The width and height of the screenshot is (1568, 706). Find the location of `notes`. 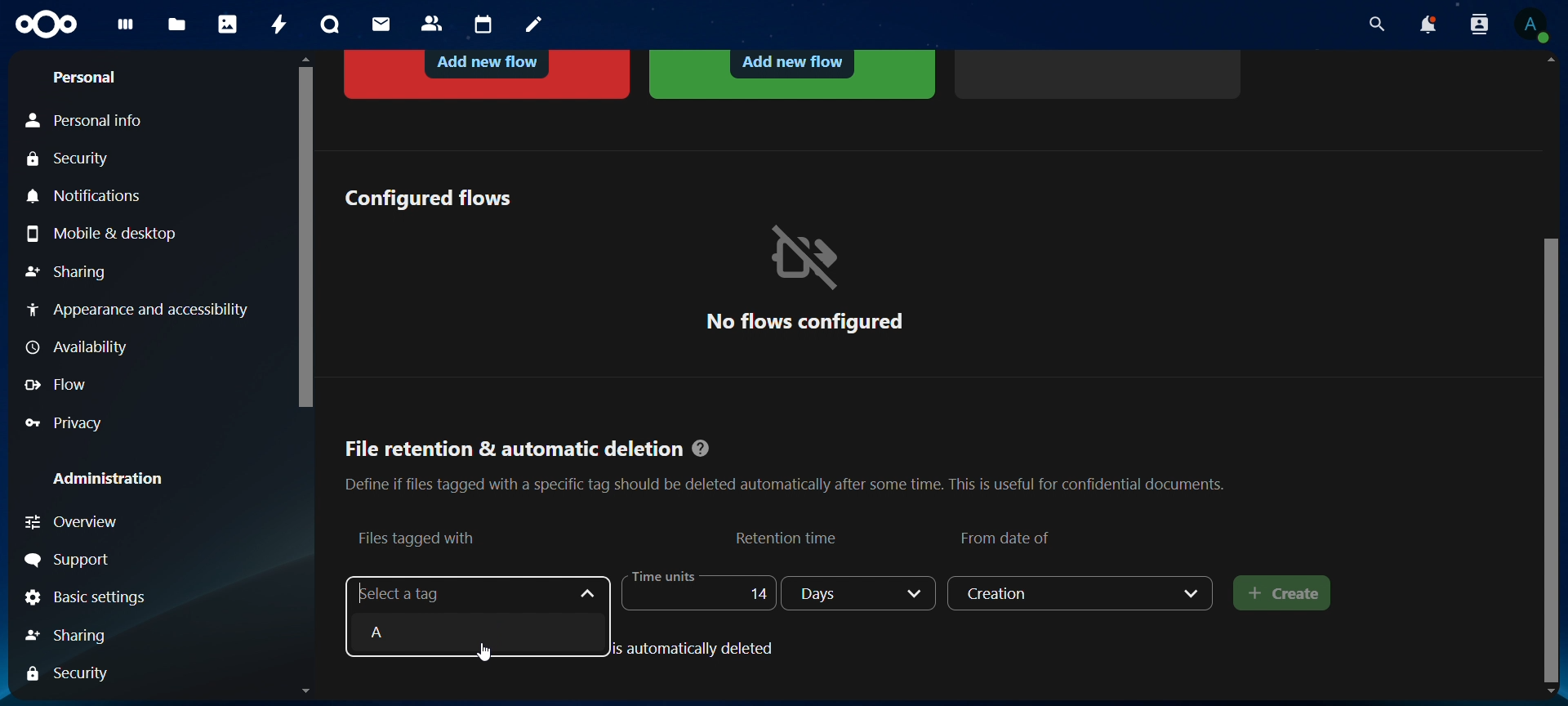

notes is located at coordinates (537, 25).